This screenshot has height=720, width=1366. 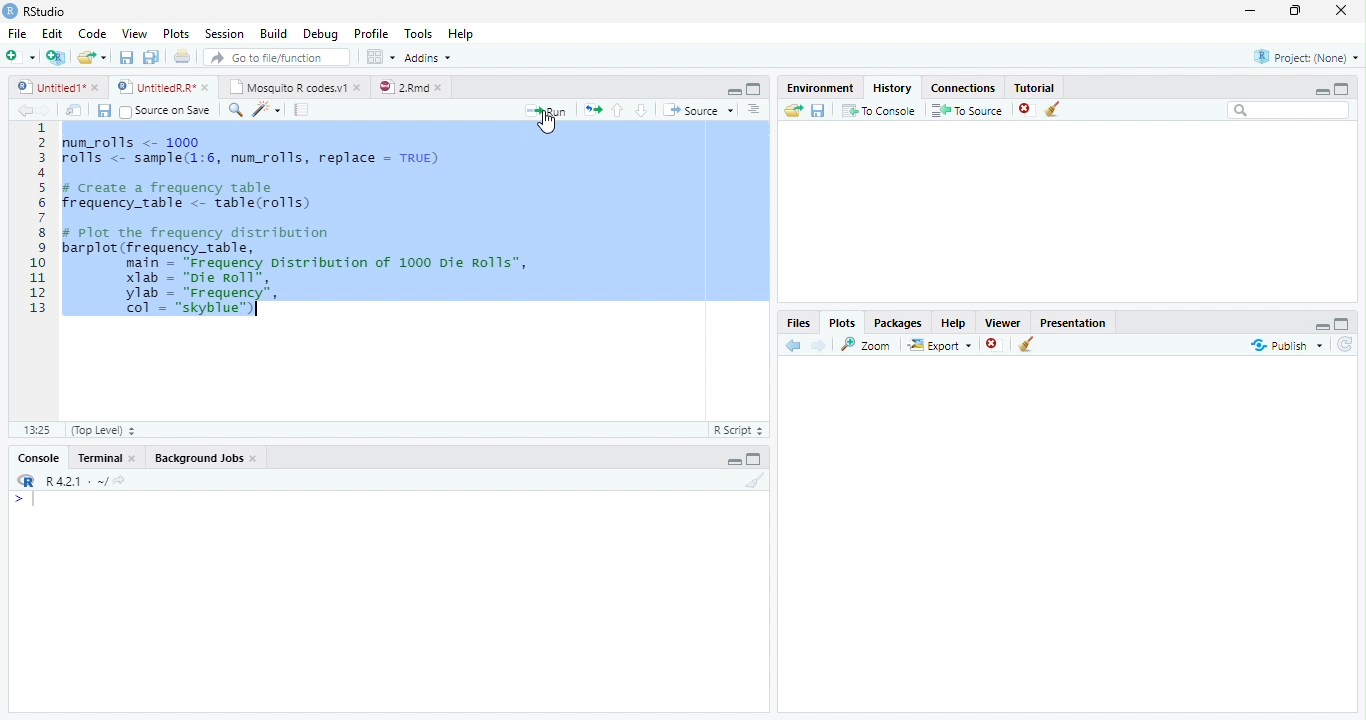 I want to click on Viewer, so click(x=1002, y=321).